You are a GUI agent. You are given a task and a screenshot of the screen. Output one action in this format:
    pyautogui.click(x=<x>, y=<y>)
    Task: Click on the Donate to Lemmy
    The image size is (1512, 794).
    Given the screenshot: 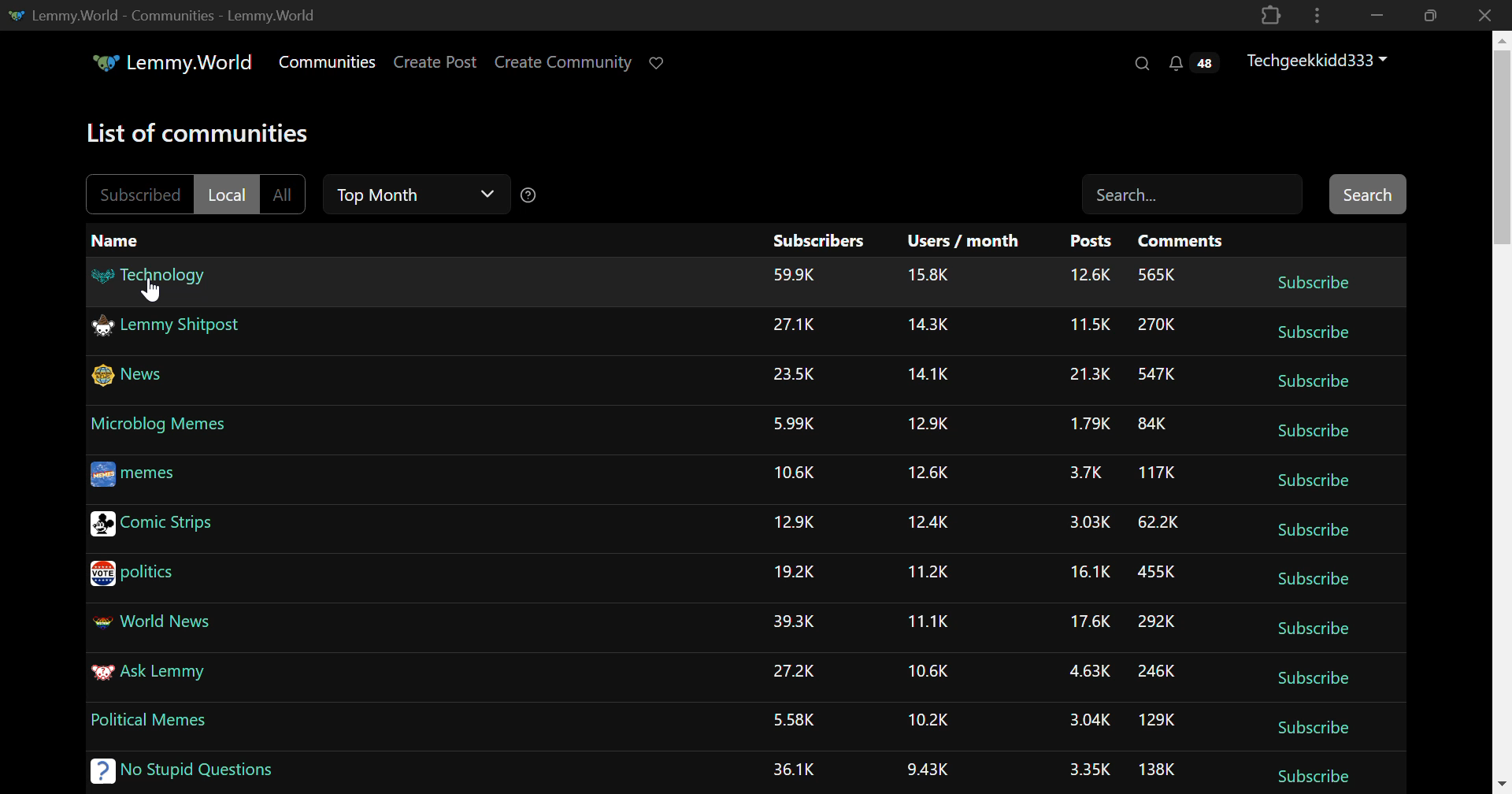 What is the action you would take?
    pyautogui.click(x=658, y=64)
    